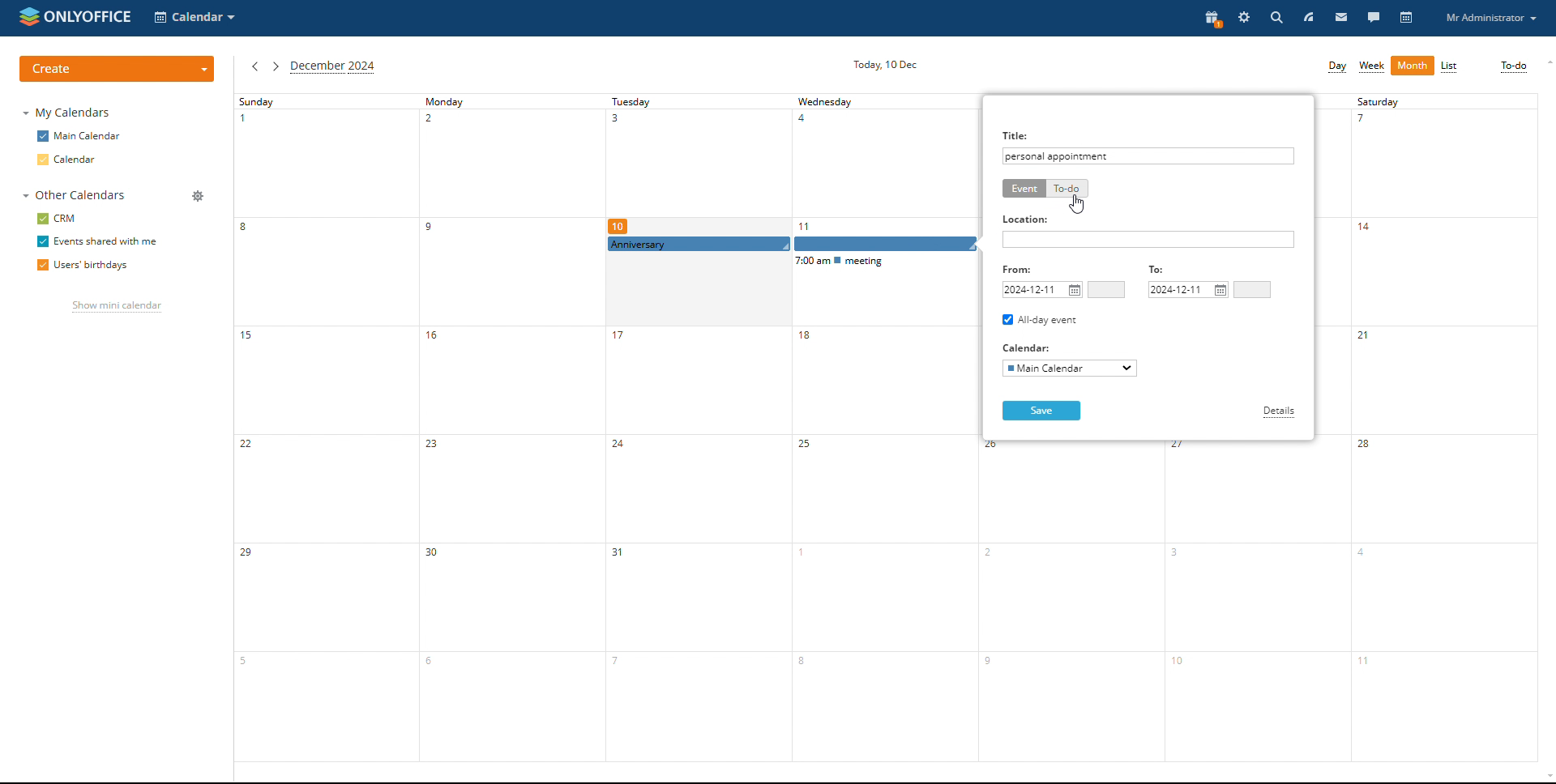 This screenshot has width=1556, height=784. Describe the element at coordinates (197, 196) in the screenshot. I see `manage` at that location.